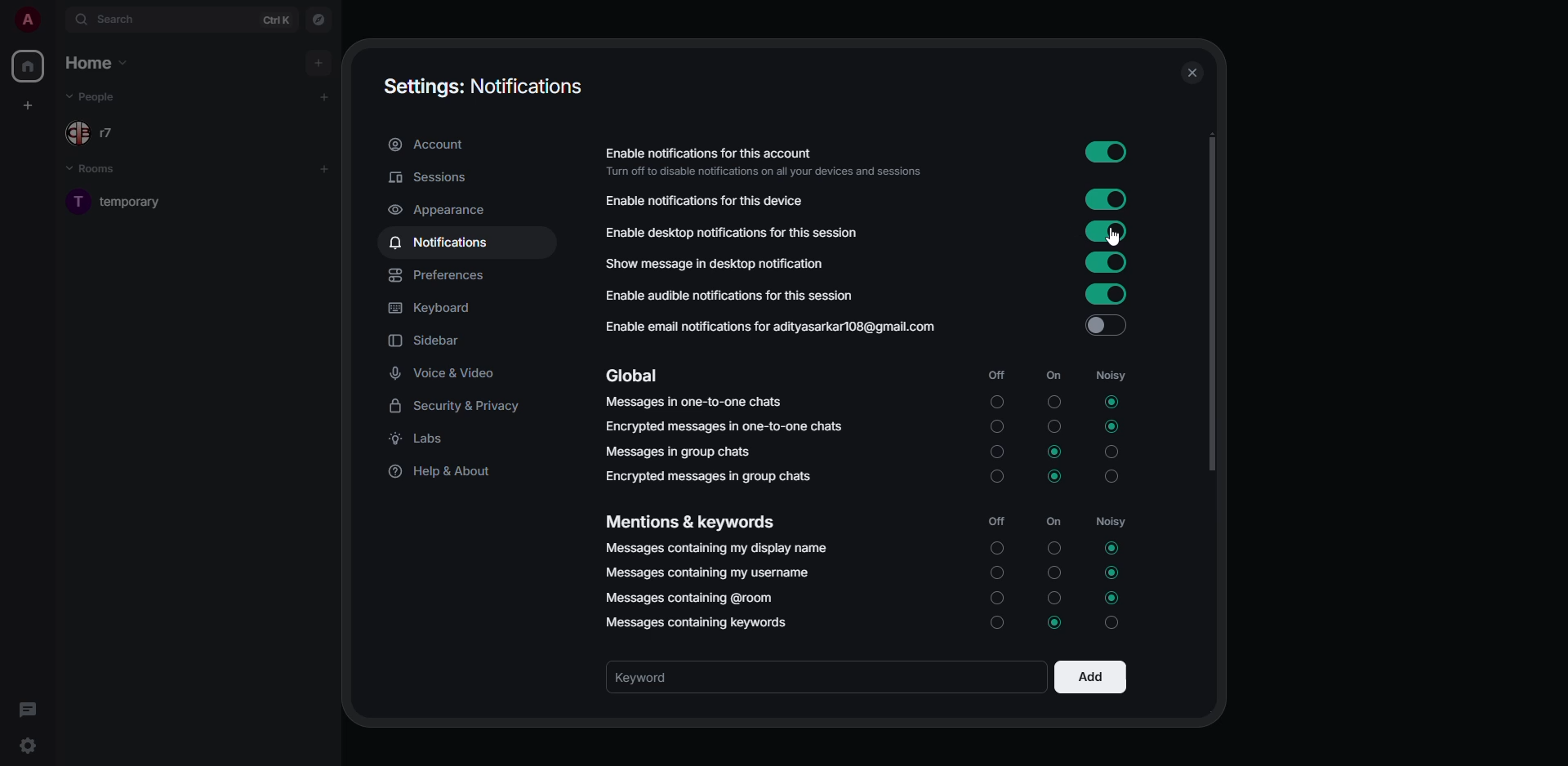  I want to click on room, so click(137, 201).